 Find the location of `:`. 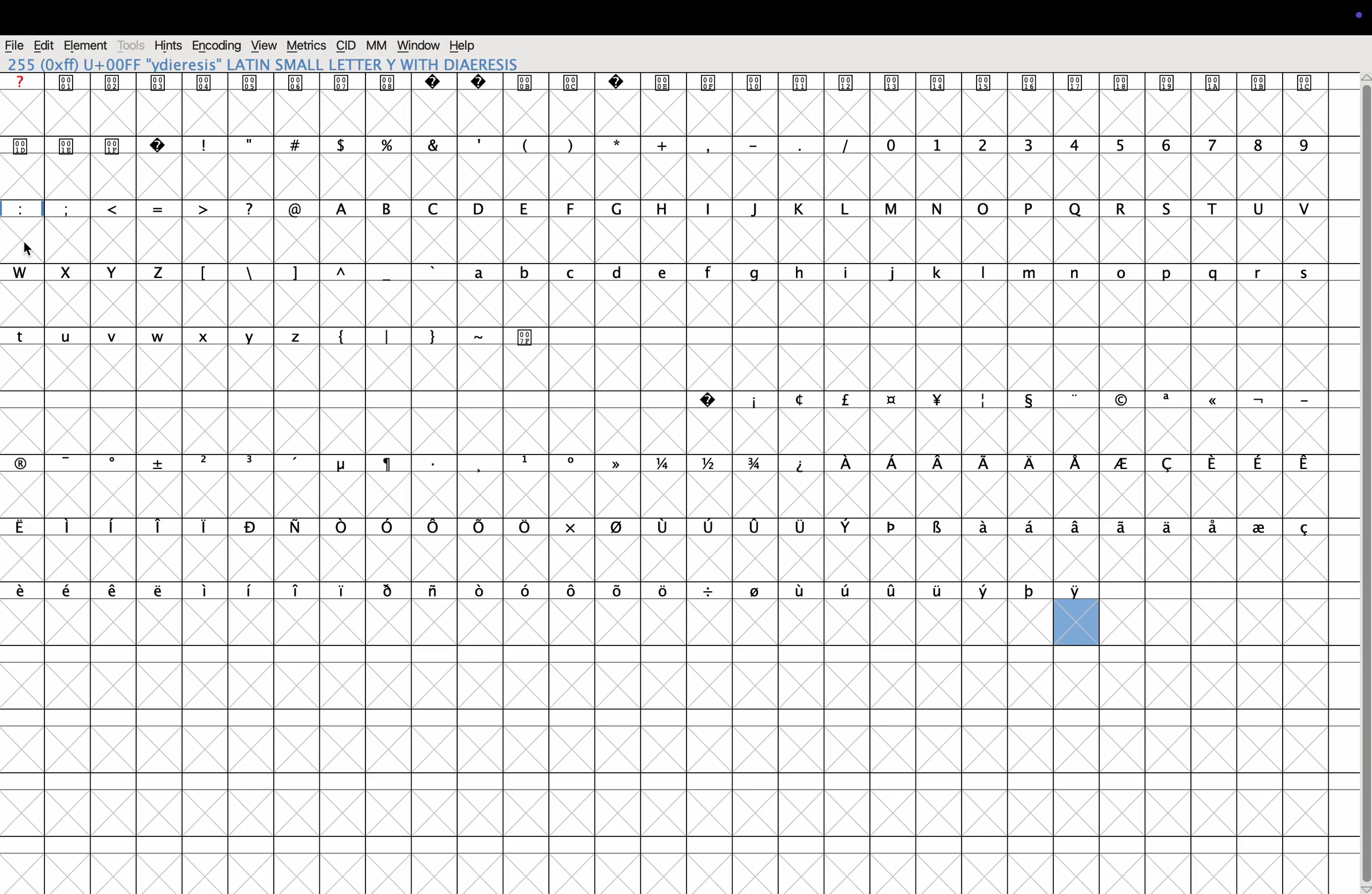

: is located at coordinates (22, 231).